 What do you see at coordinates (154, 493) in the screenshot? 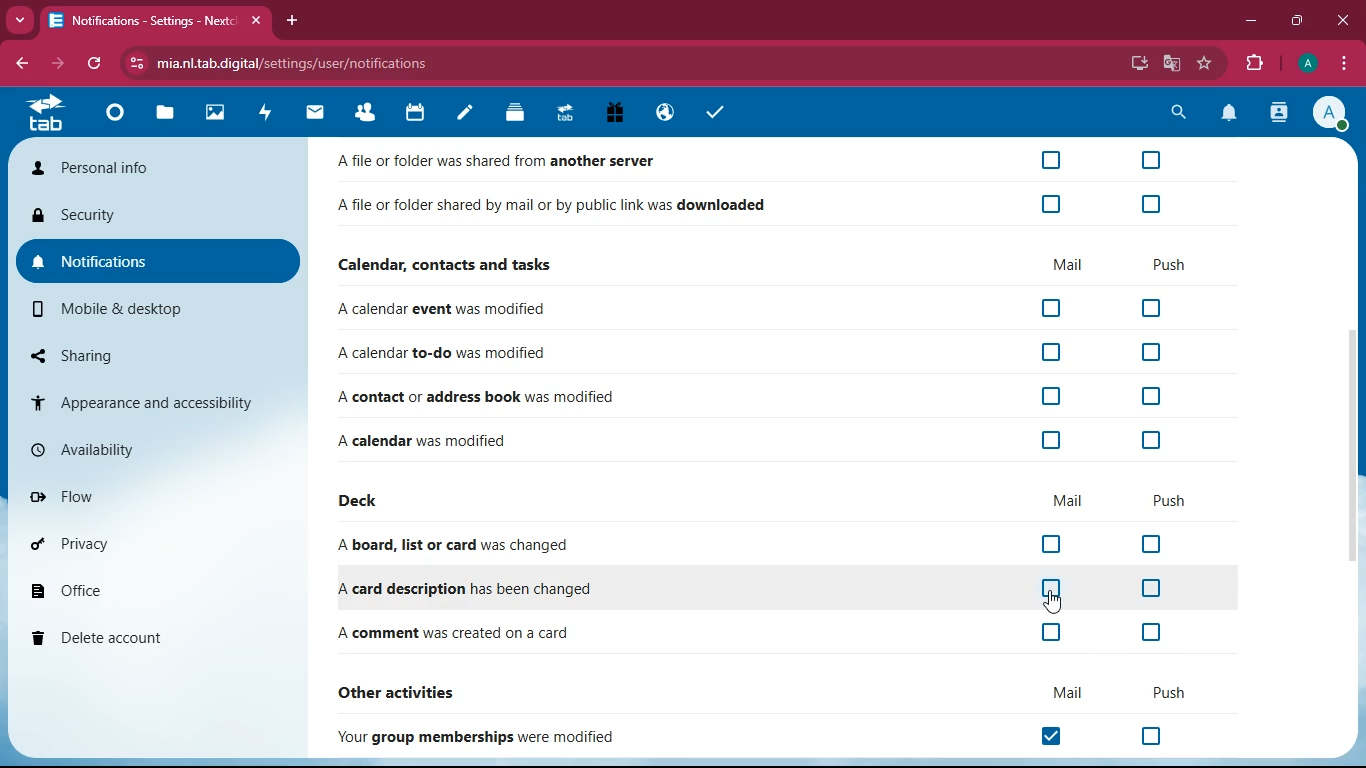
I see `flow` at bounding box center [154, 493].